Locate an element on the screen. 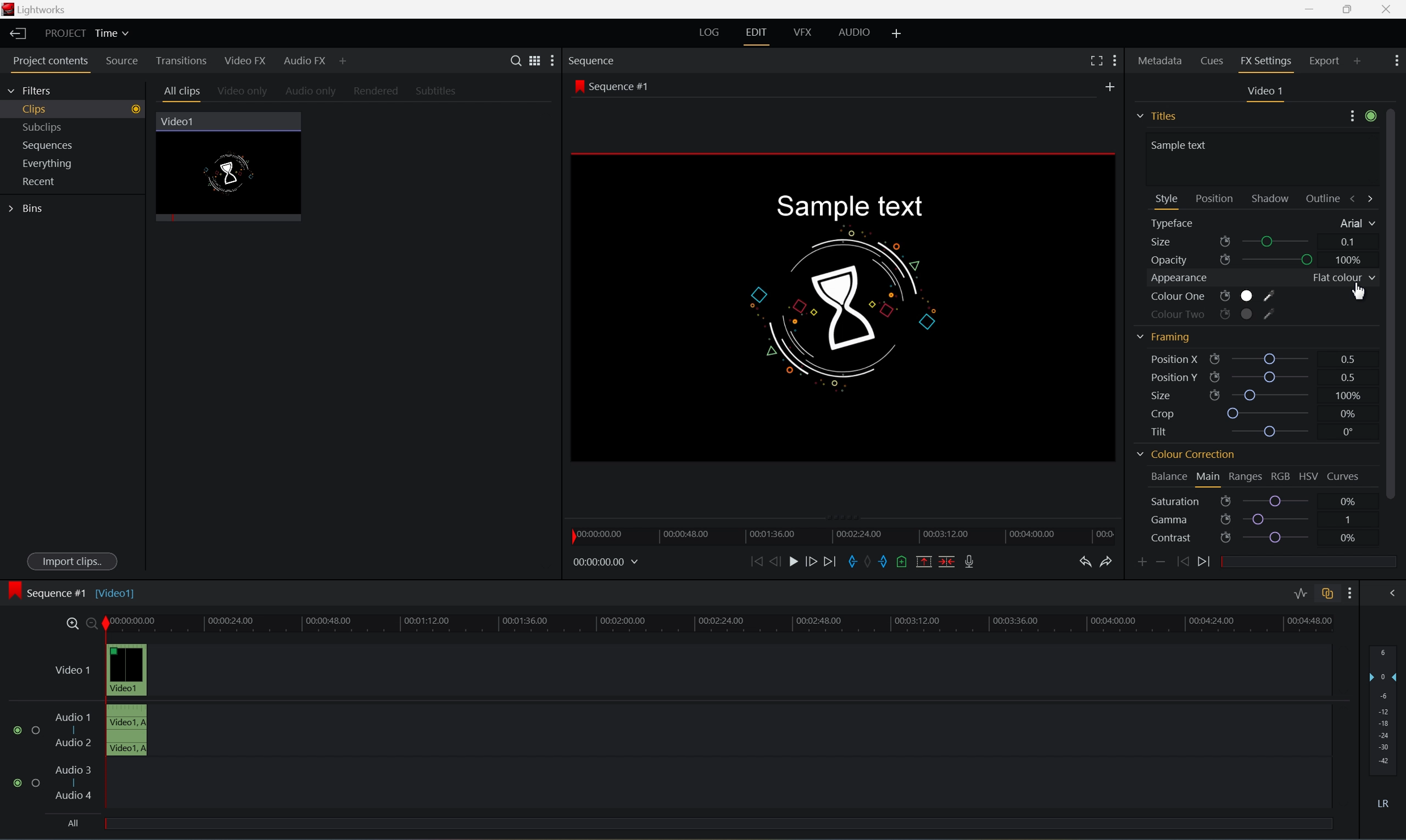 The height and width of the screenshot is (840, 1406). slider is located at coordinates (1272, 376).